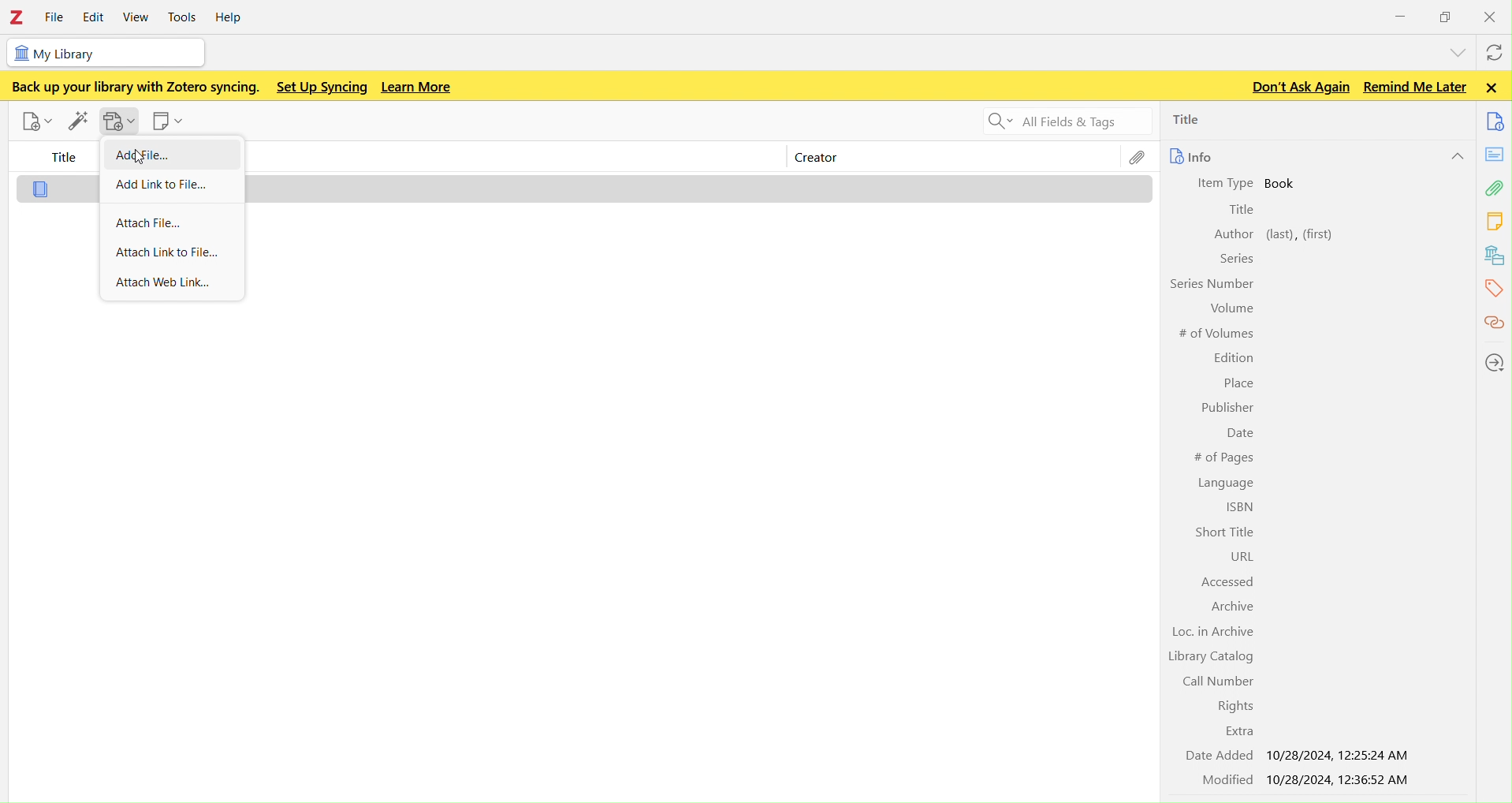  What do you see at coordinates (1223, 458) in the screenshot?
I see `# of Pages` at bounding box center [1223, 458].